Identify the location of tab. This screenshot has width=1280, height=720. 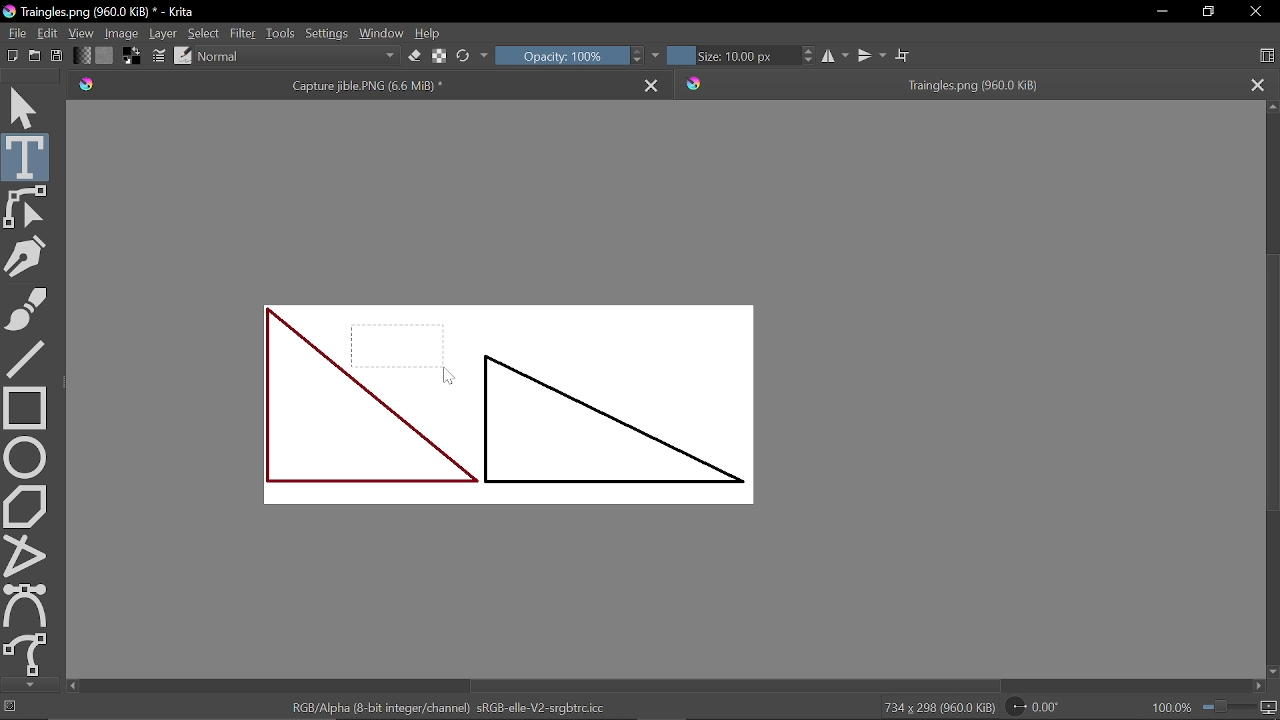
(958, 83).